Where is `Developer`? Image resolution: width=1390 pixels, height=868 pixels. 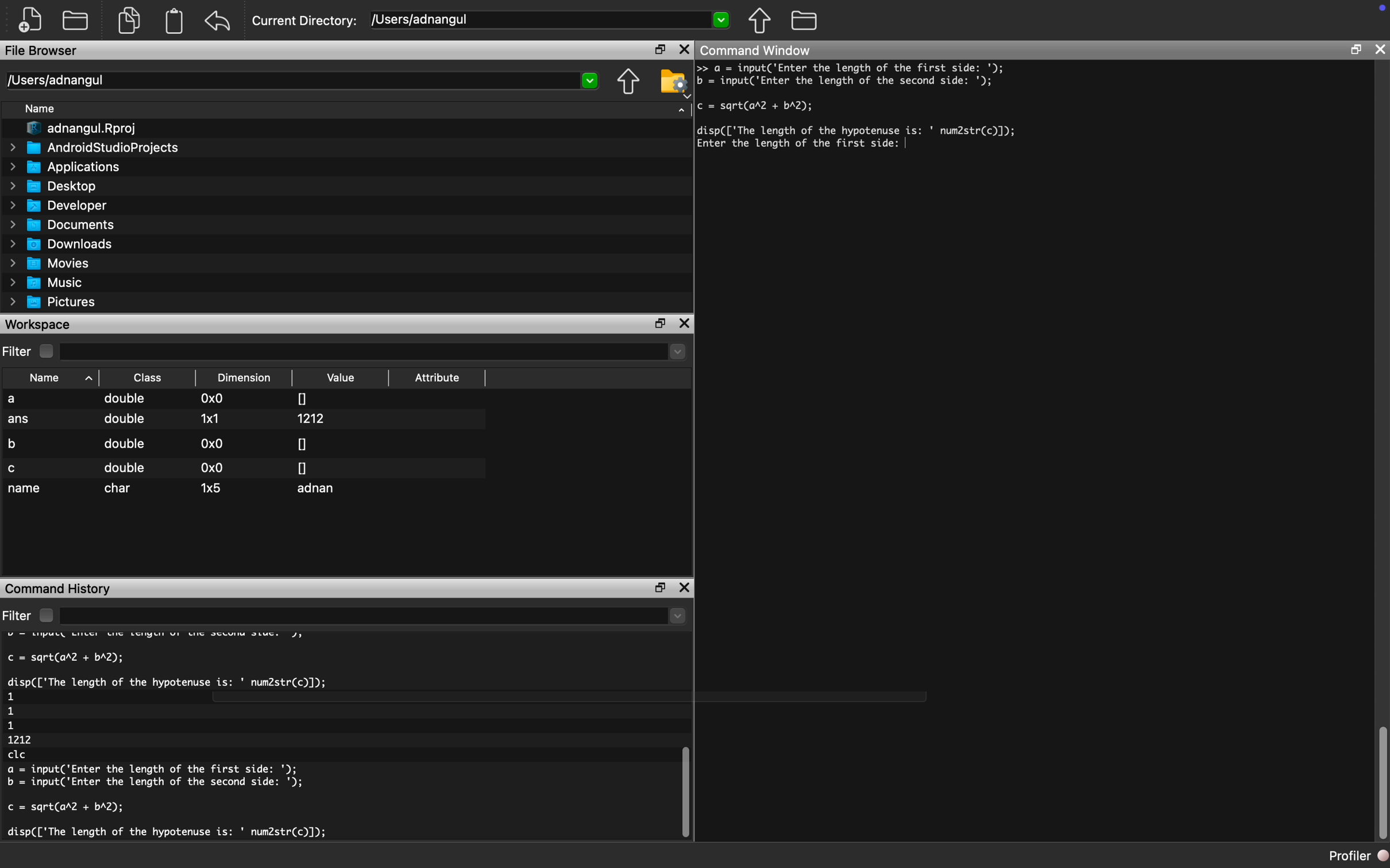 Developer is located at coordinates (63, 205).